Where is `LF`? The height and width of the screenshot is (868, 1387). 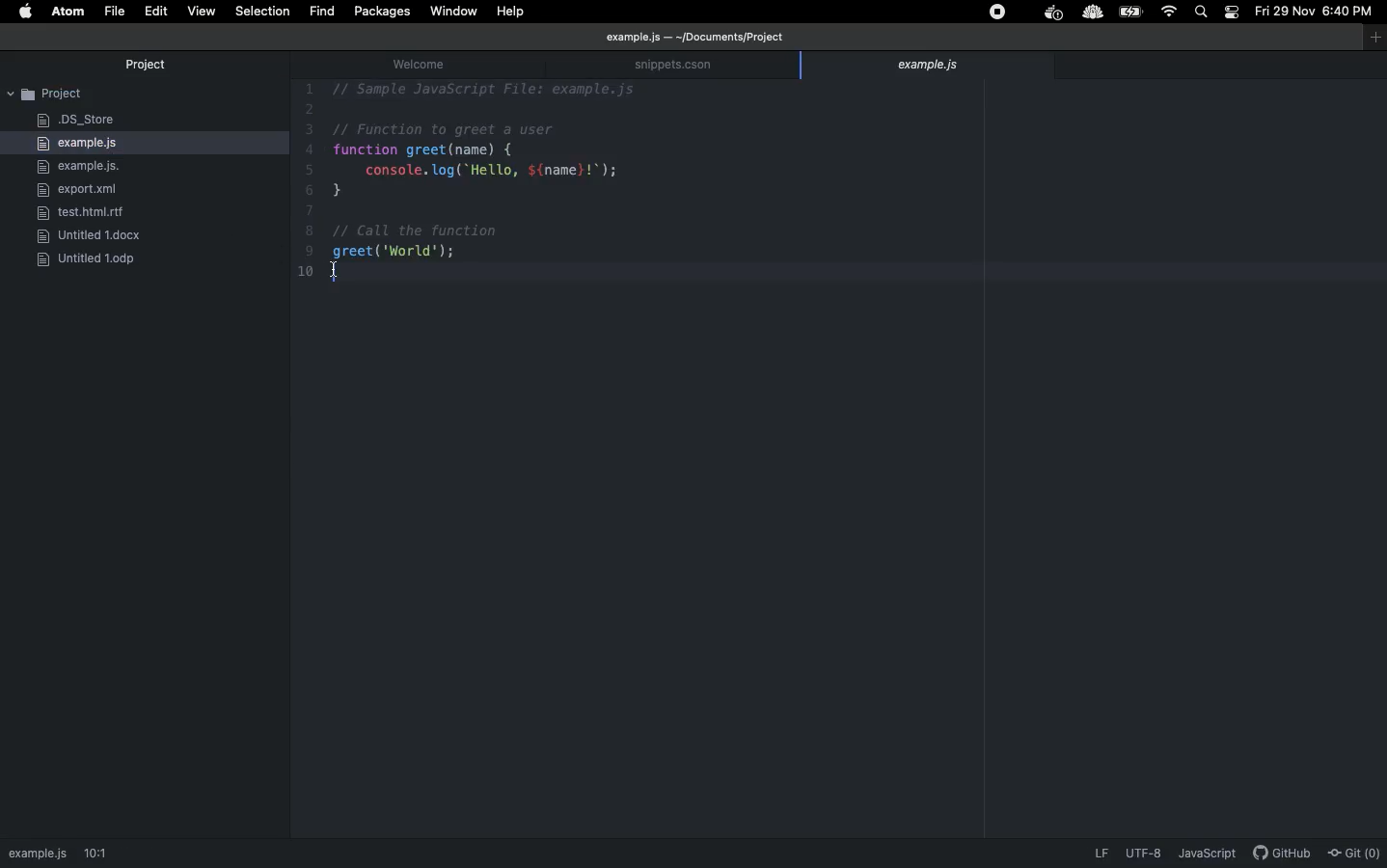 LF is located at coordinates (1100, 855).